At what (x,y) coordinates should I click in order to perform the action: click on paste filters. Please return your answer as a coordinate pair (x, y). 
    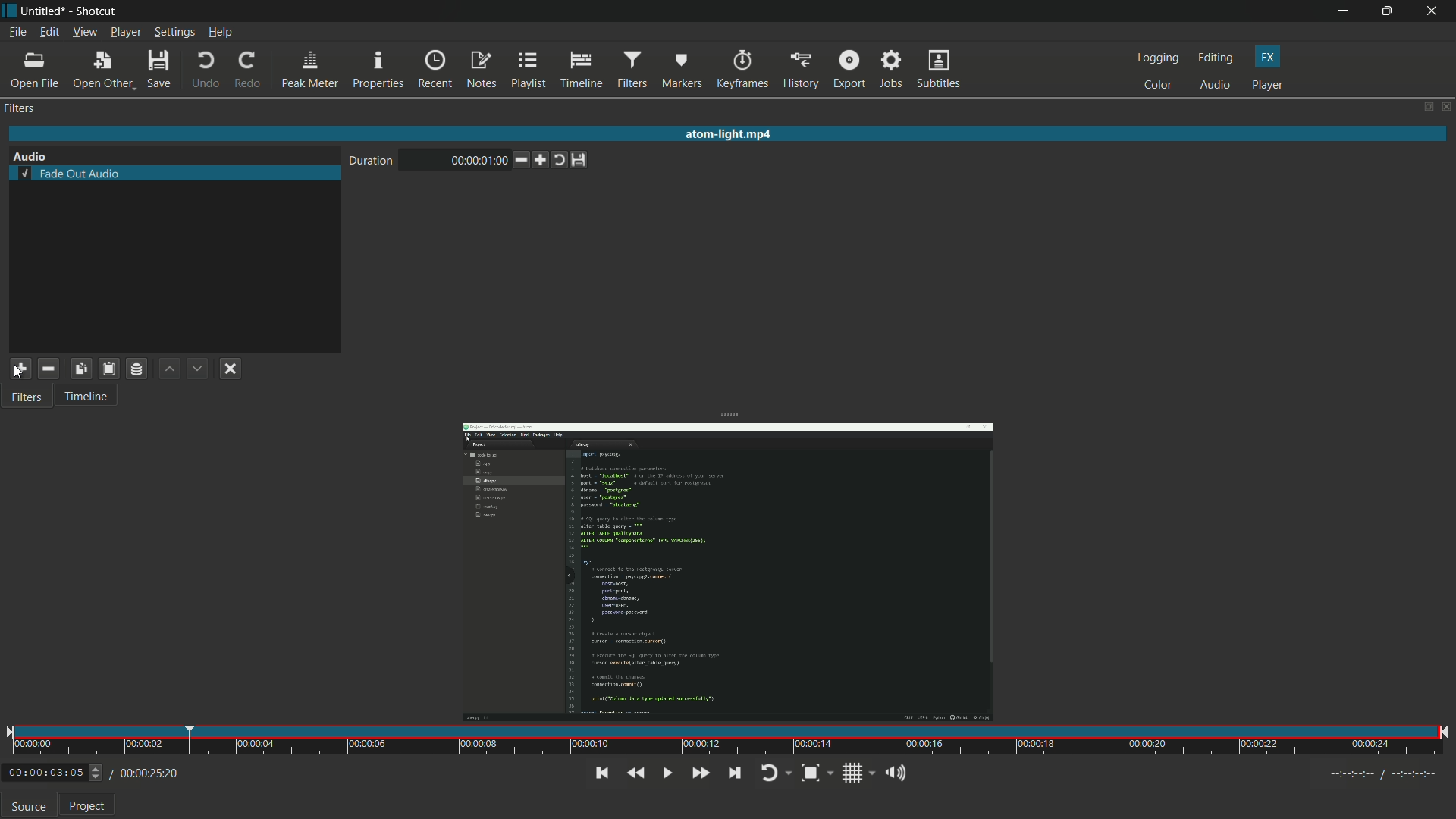
    Looking at the image, I should click on (107, 368).